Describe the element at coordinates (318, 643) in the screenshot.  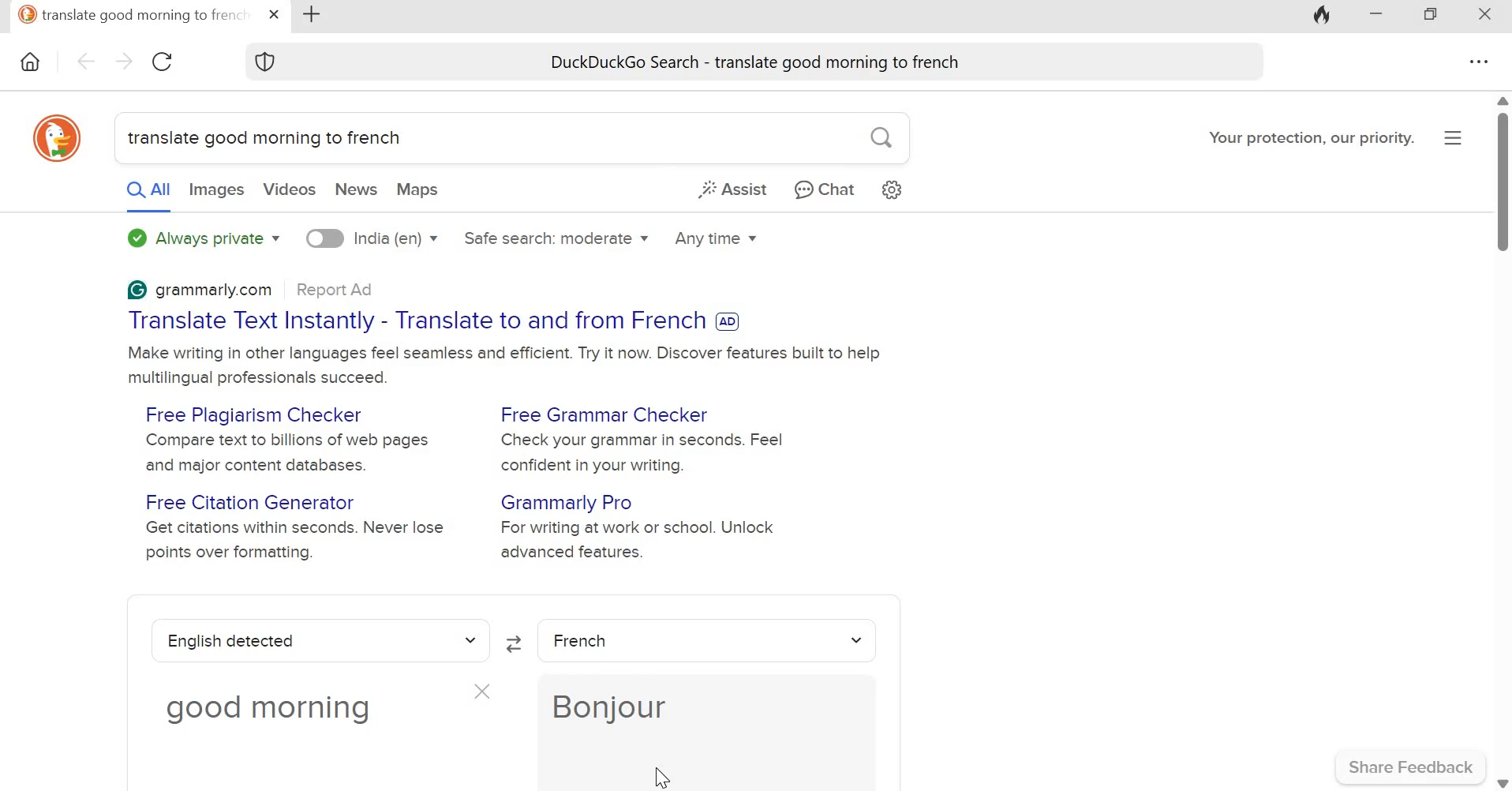
I see `english detected` at that location.